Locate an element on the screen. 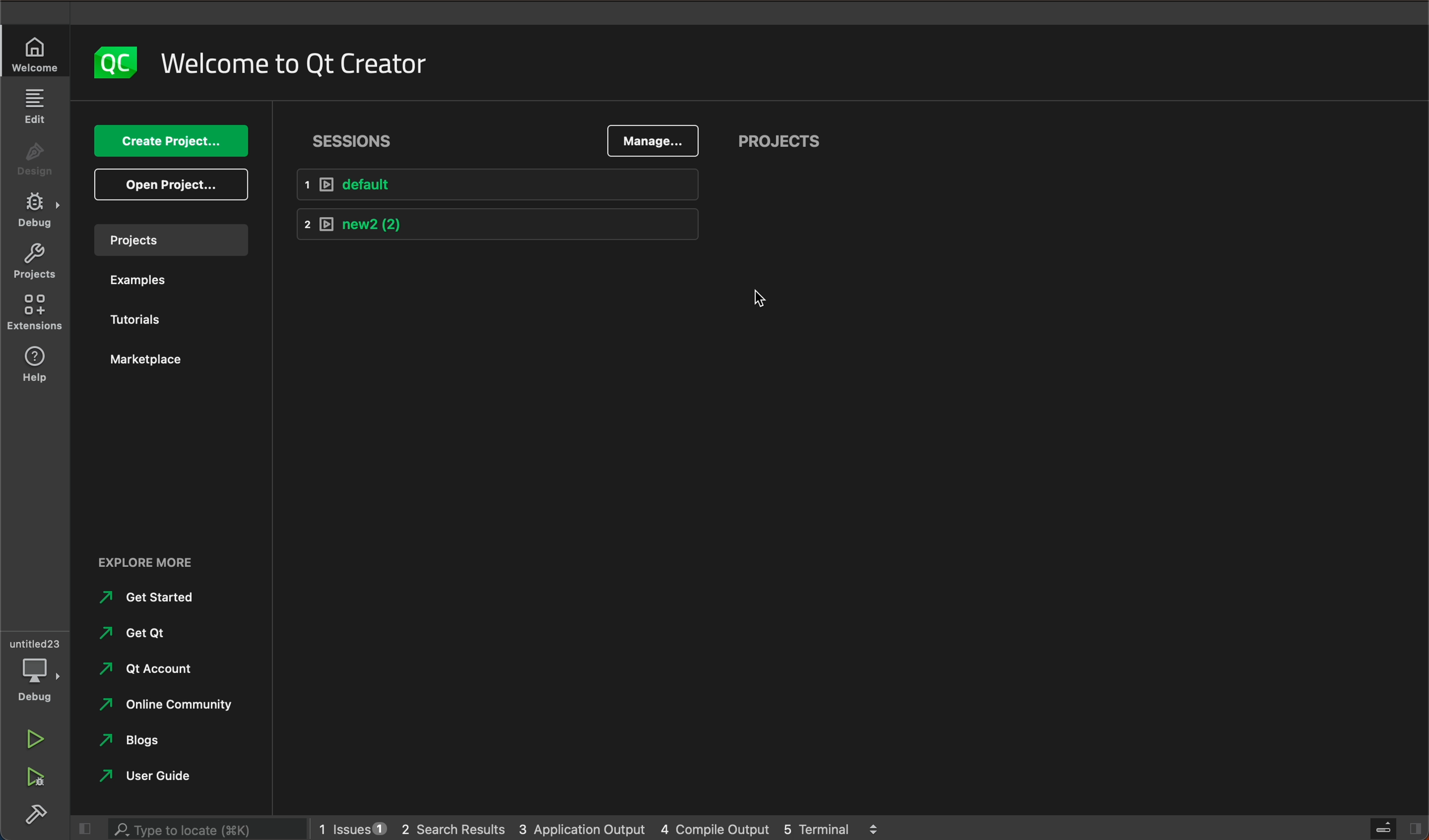  debug is located at coordinates (35, 211).